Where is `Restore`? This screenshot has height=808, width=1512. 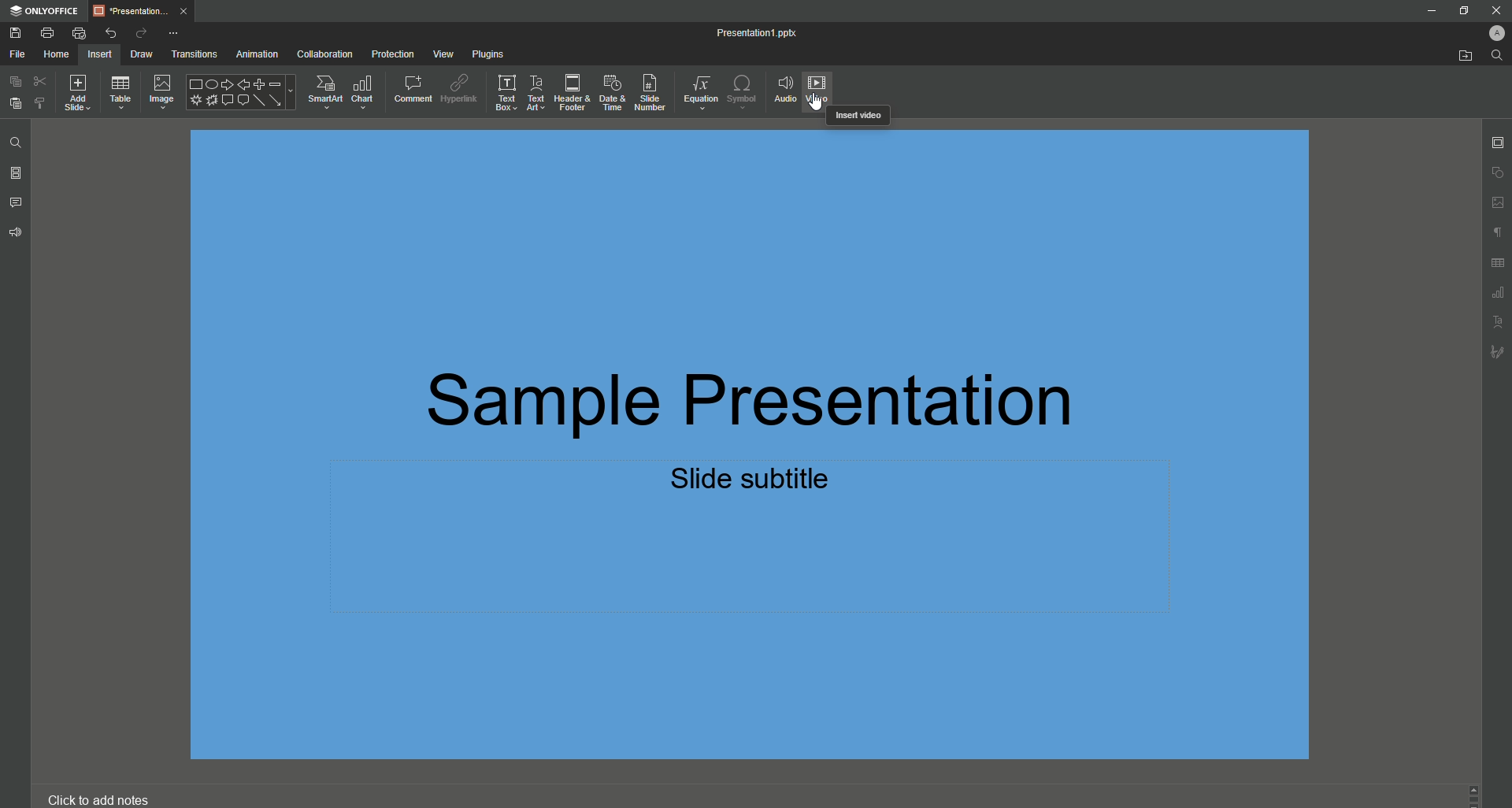
Restore is located at coordinates (1462, 9).